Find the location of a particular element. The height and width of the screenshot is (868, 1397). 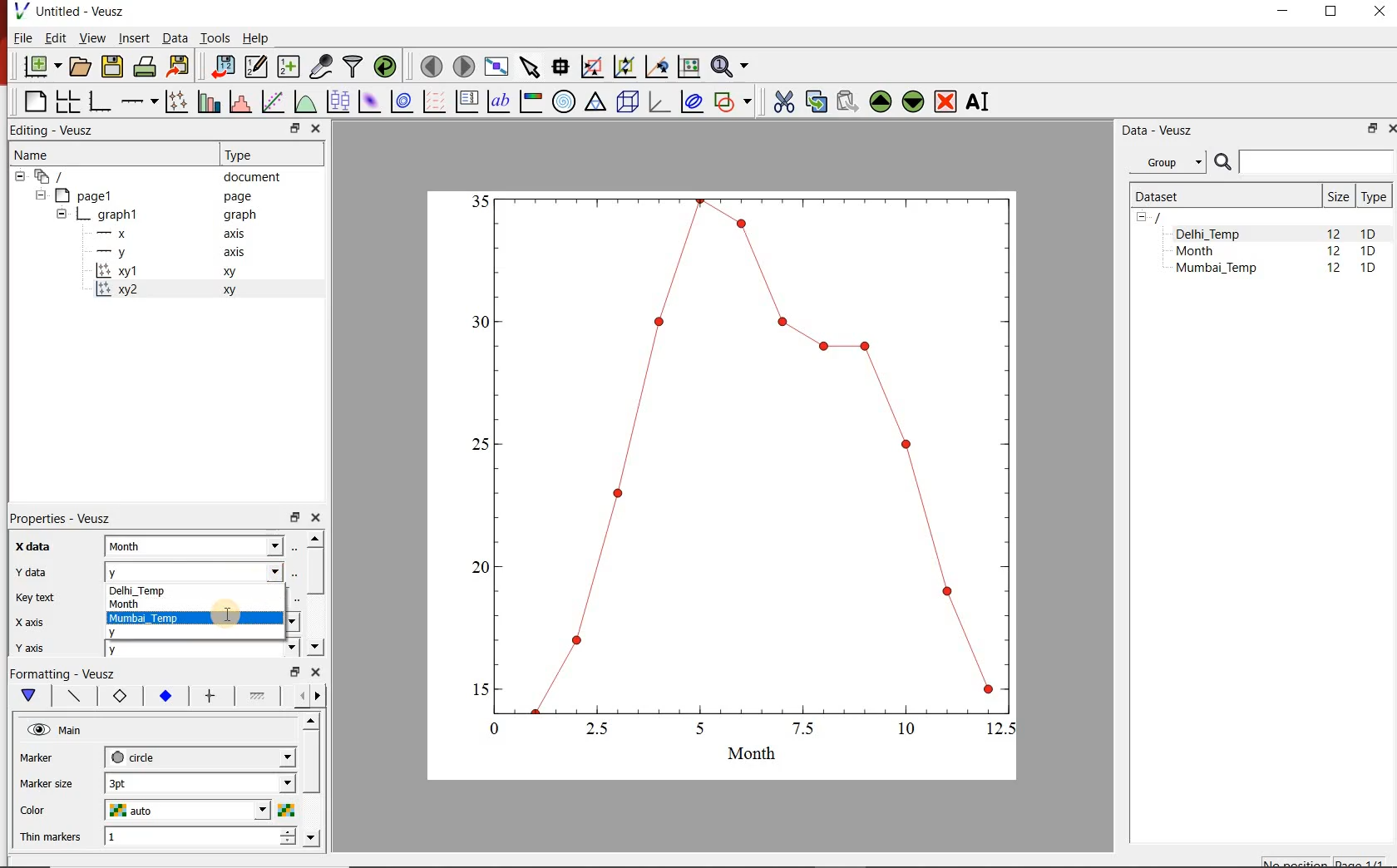

blank page is located at coordinates (32, 101).